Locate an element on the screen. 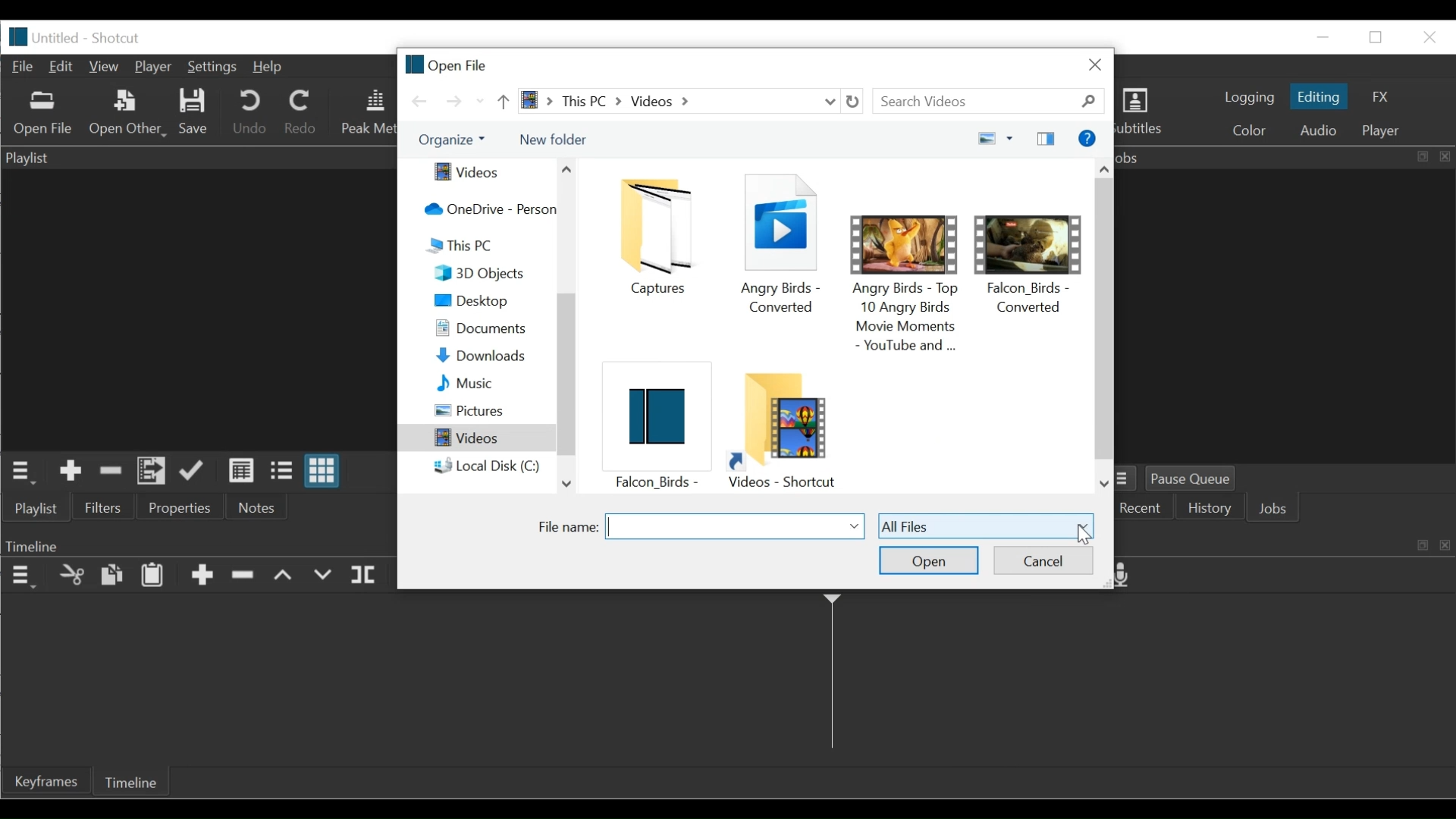 The image size is (1456, 819). Notes is located at coordinates (256, 507).